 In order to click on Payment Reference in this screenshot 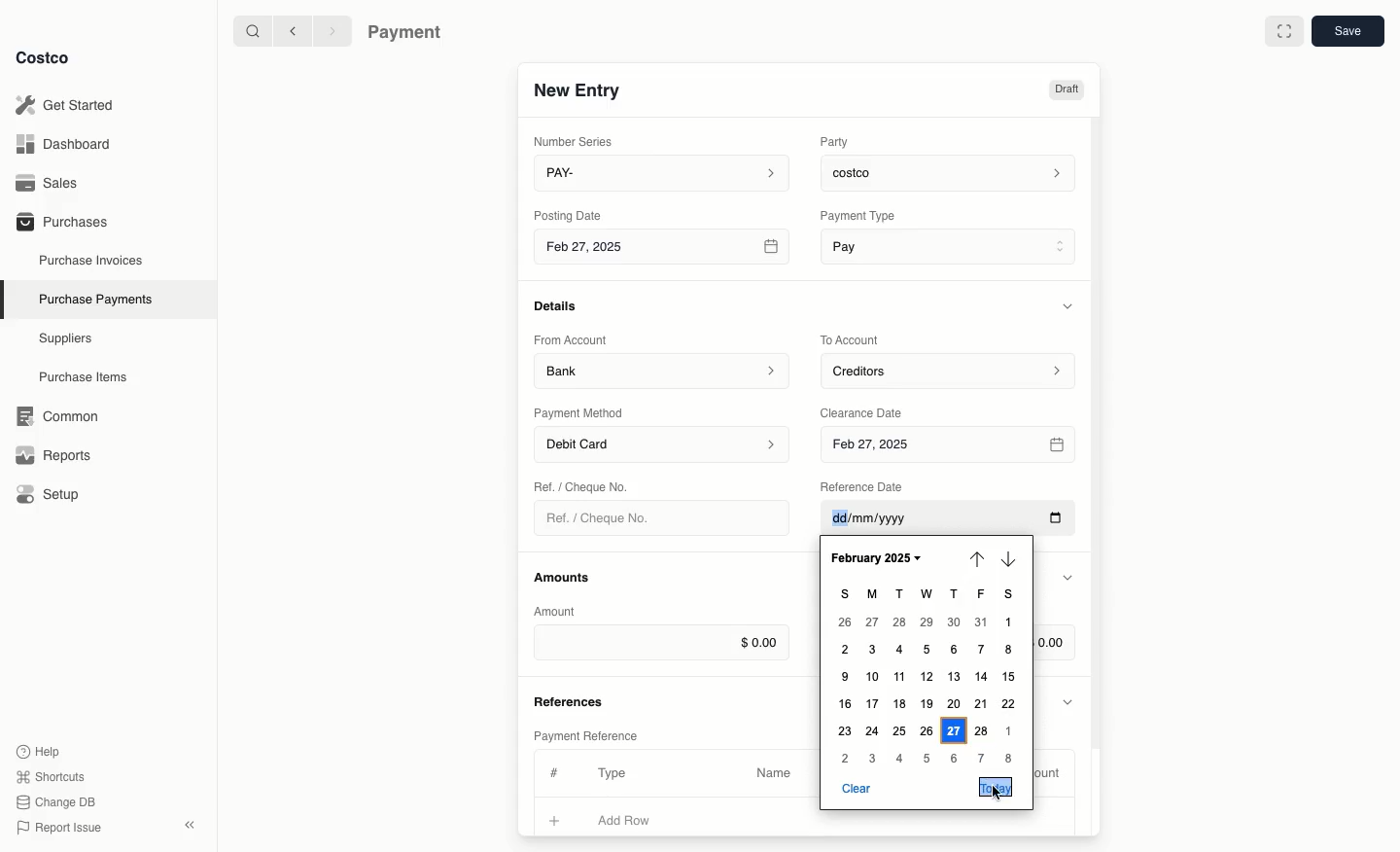, I will do `click(584, 733)`.